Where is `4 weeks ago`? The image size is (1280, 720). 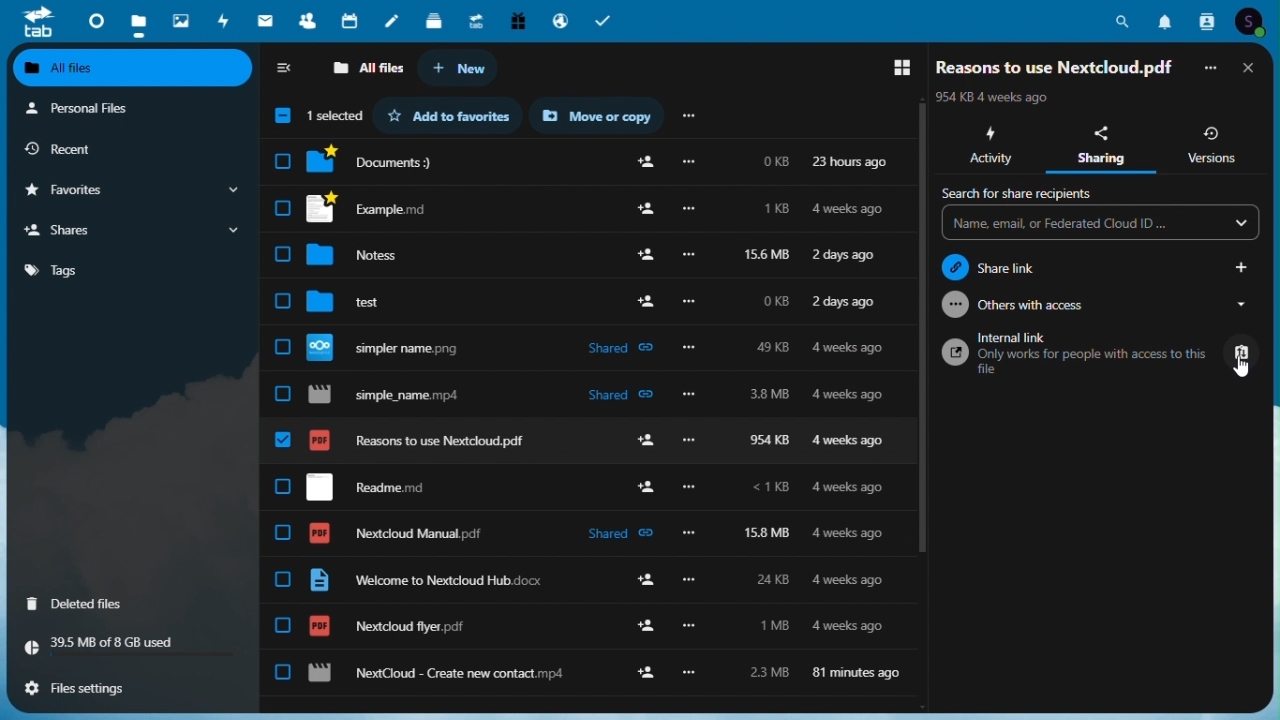 4 weeks ago is located at coordinates (850, 441).